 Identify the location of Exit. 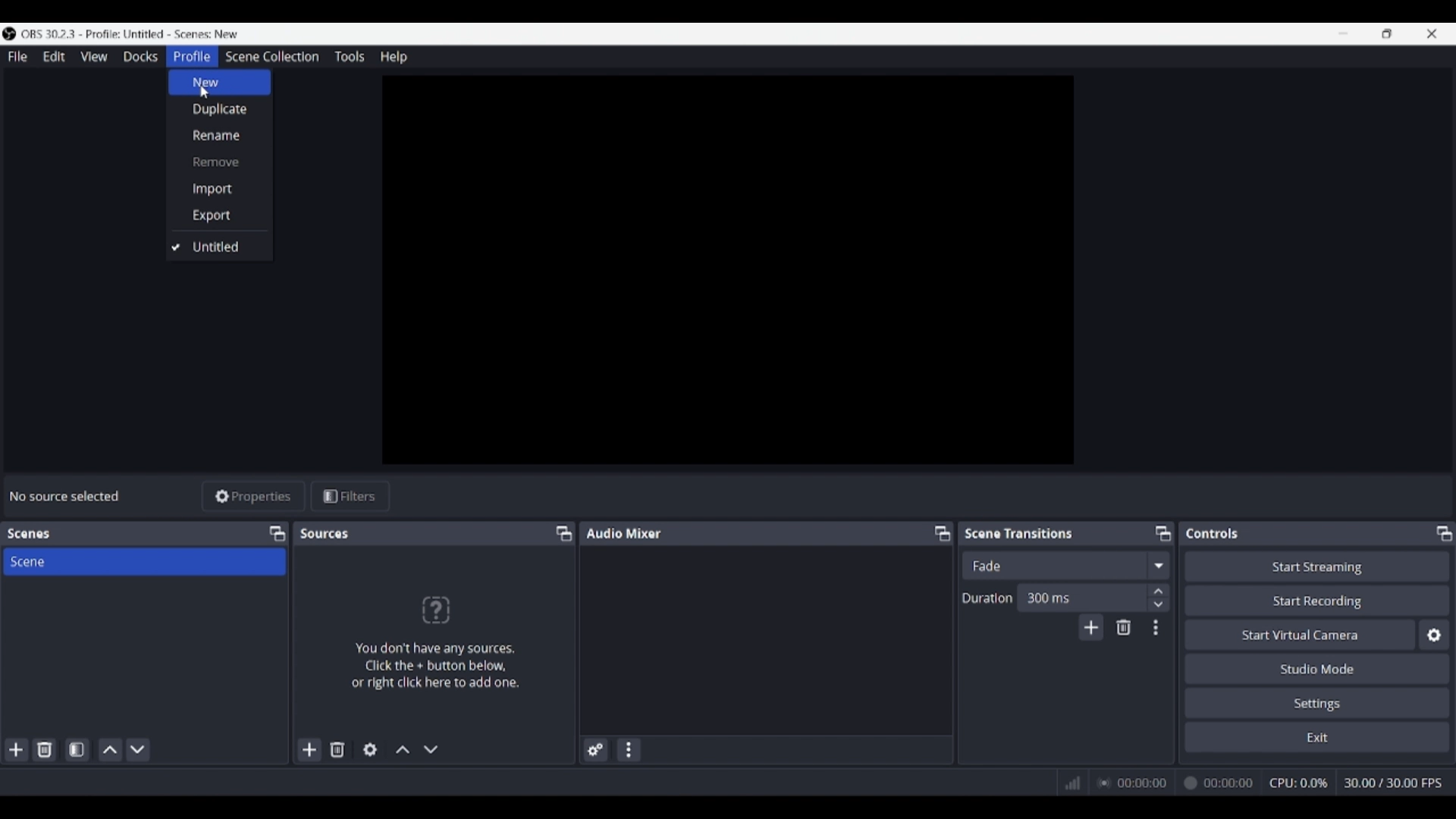
(1317, 736).